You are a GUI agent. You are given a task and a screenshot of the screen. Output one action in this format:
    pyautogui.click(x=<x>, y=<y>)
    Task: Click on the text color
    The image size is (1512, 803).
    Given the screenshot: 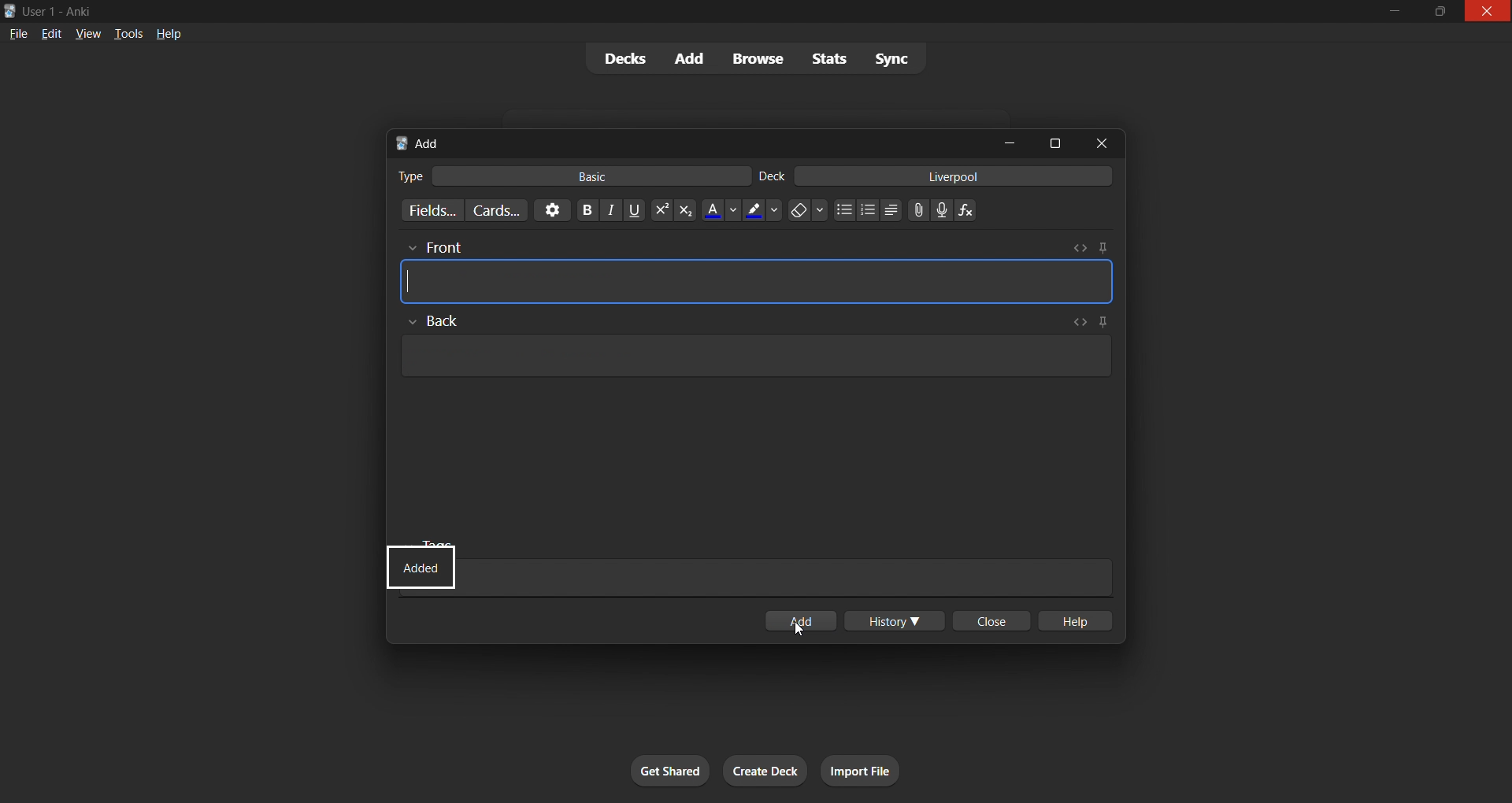 What is the action you would take?
    pyautogui.click(x=719, y=210)
    